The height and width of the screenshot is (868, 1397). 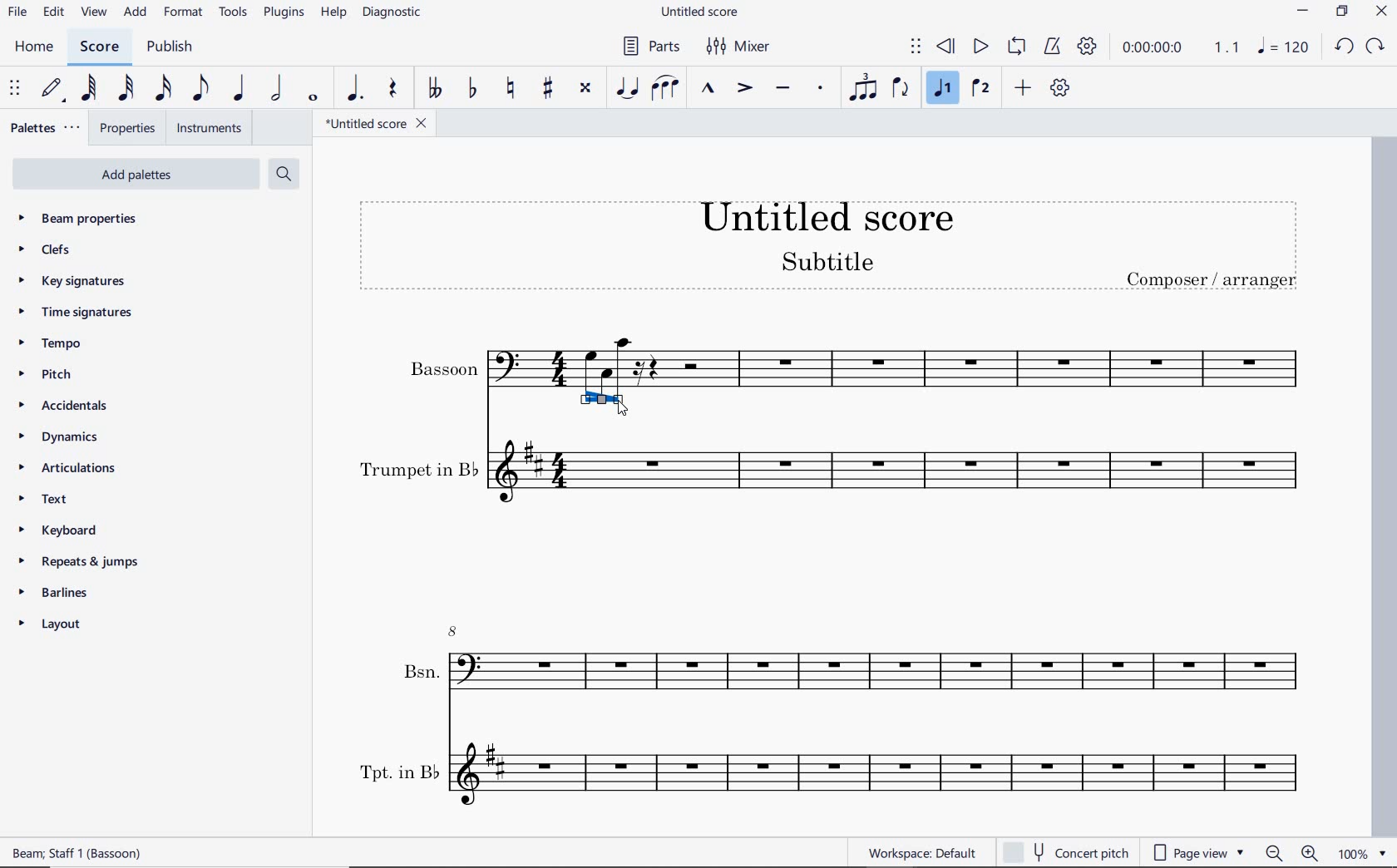 What do you see at coordinates (744, 88) in the screenshot?
I see `accent` at bounding box center [744, 88].